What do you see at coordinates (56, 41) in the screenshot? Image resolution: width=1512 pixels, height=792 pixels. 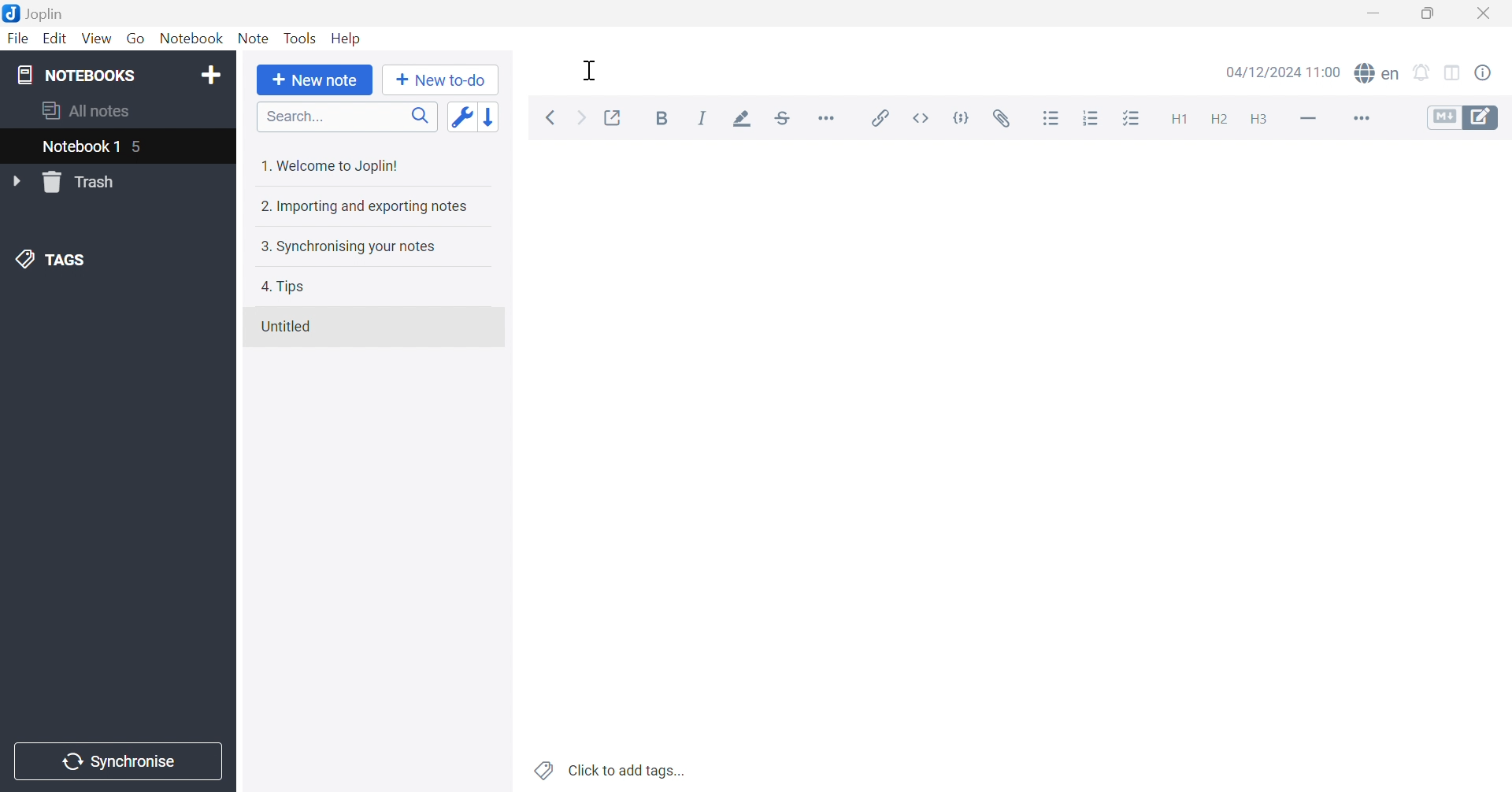 I see `Edit` at bounding box center [56, 41].